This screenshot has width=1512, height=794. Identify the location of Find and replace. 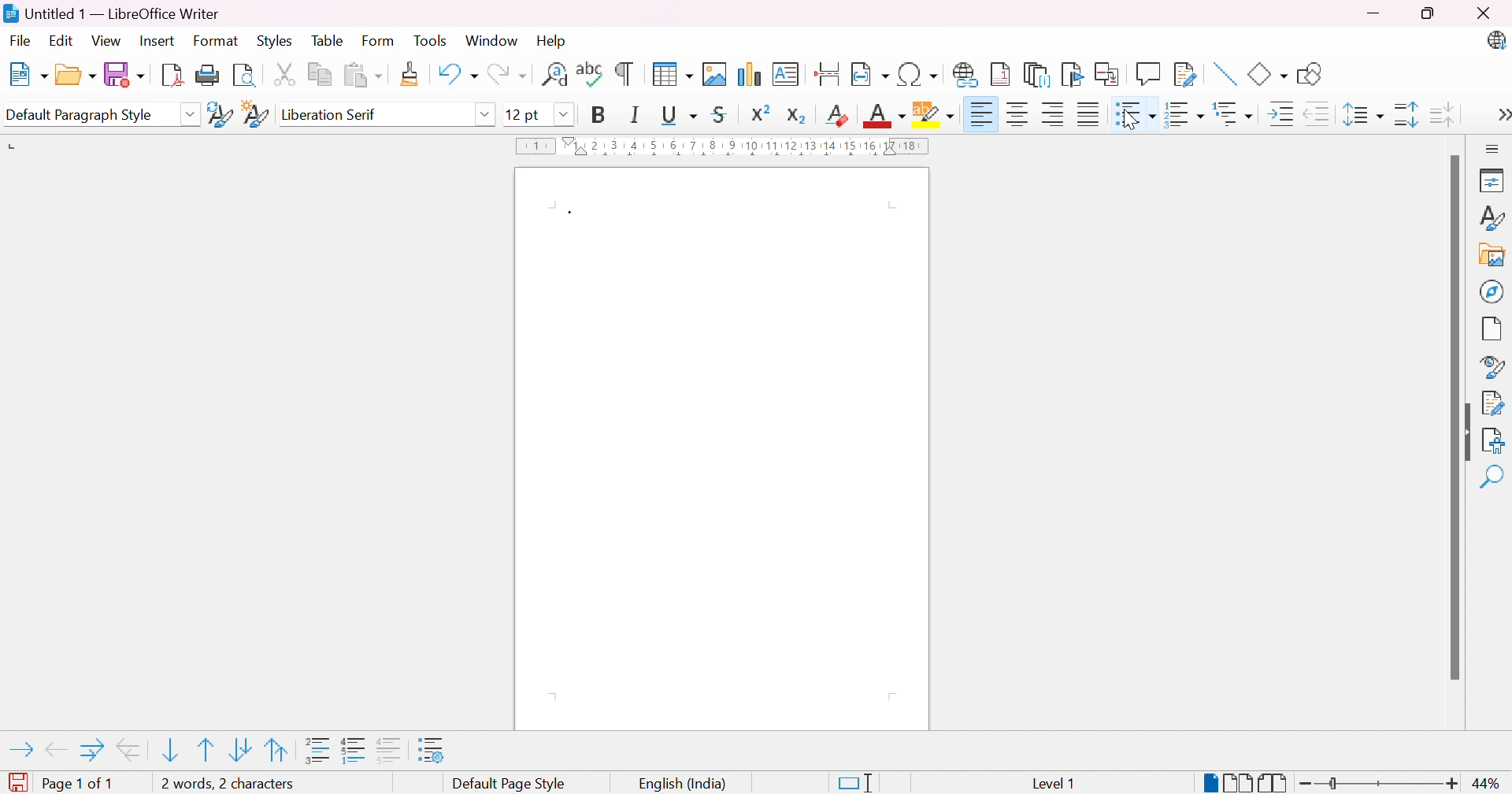
(553, 76).